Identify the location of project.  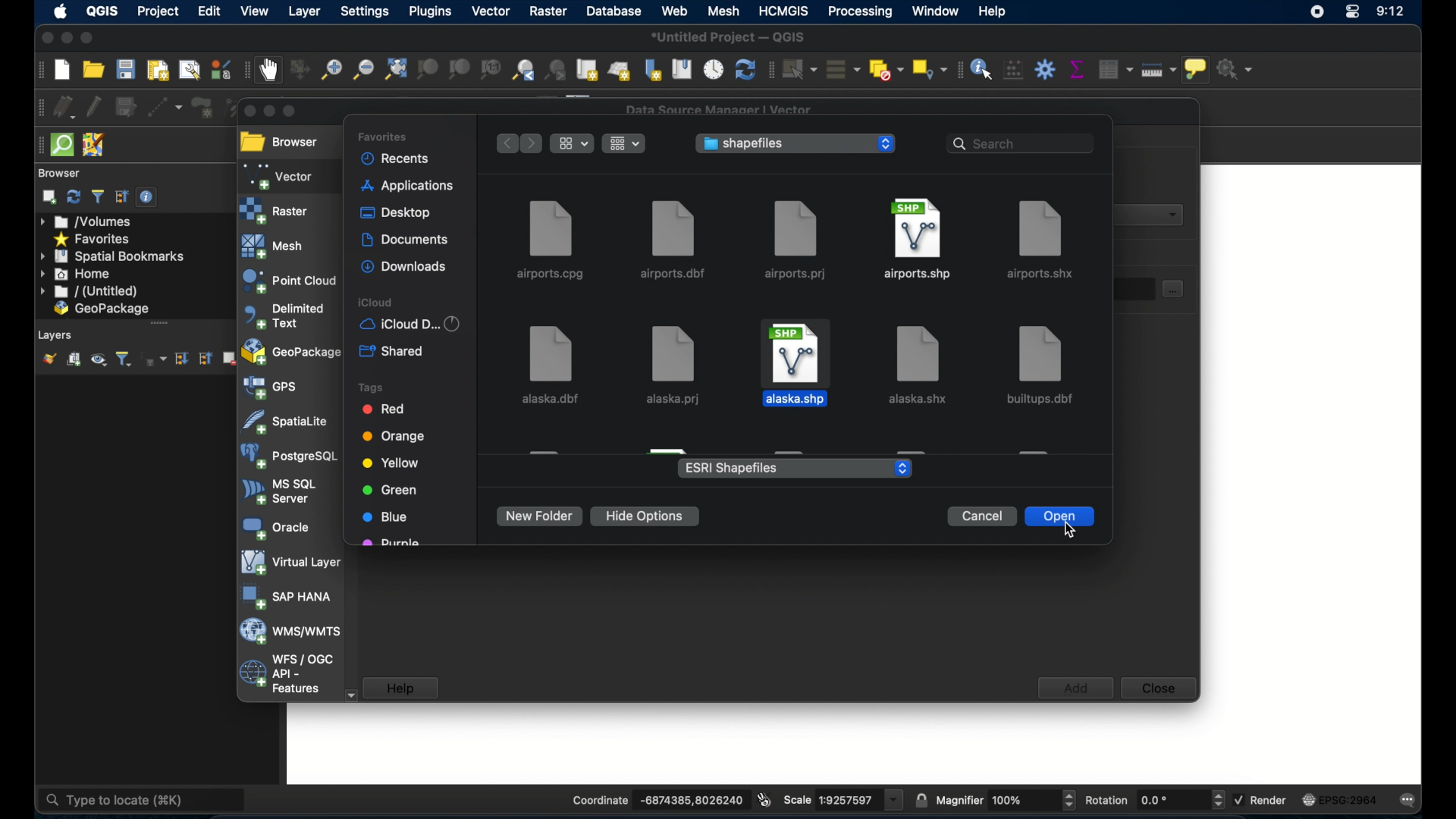
(158, 11).